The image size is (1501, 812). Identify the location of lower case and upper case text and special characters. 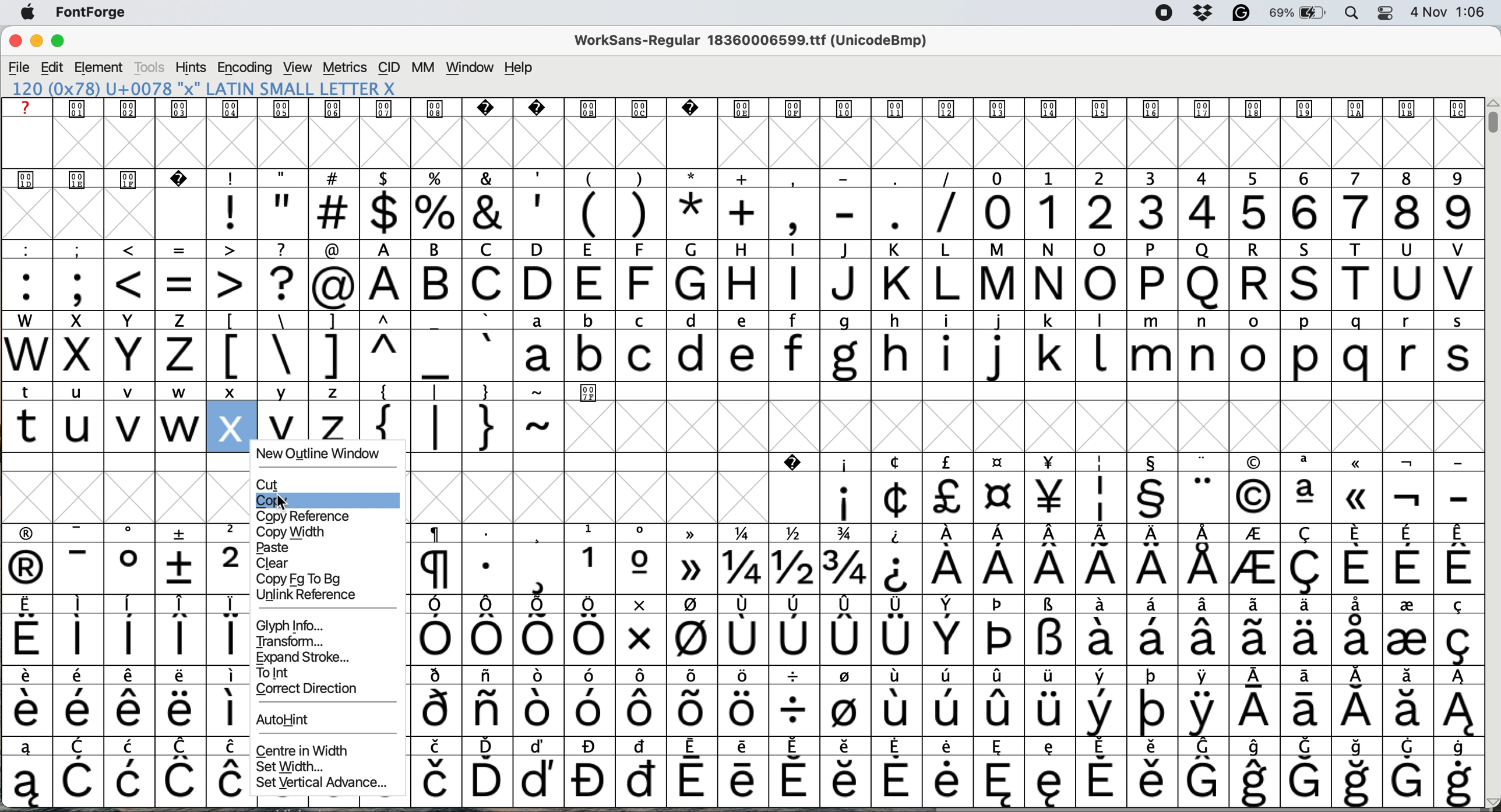
(745, 318).